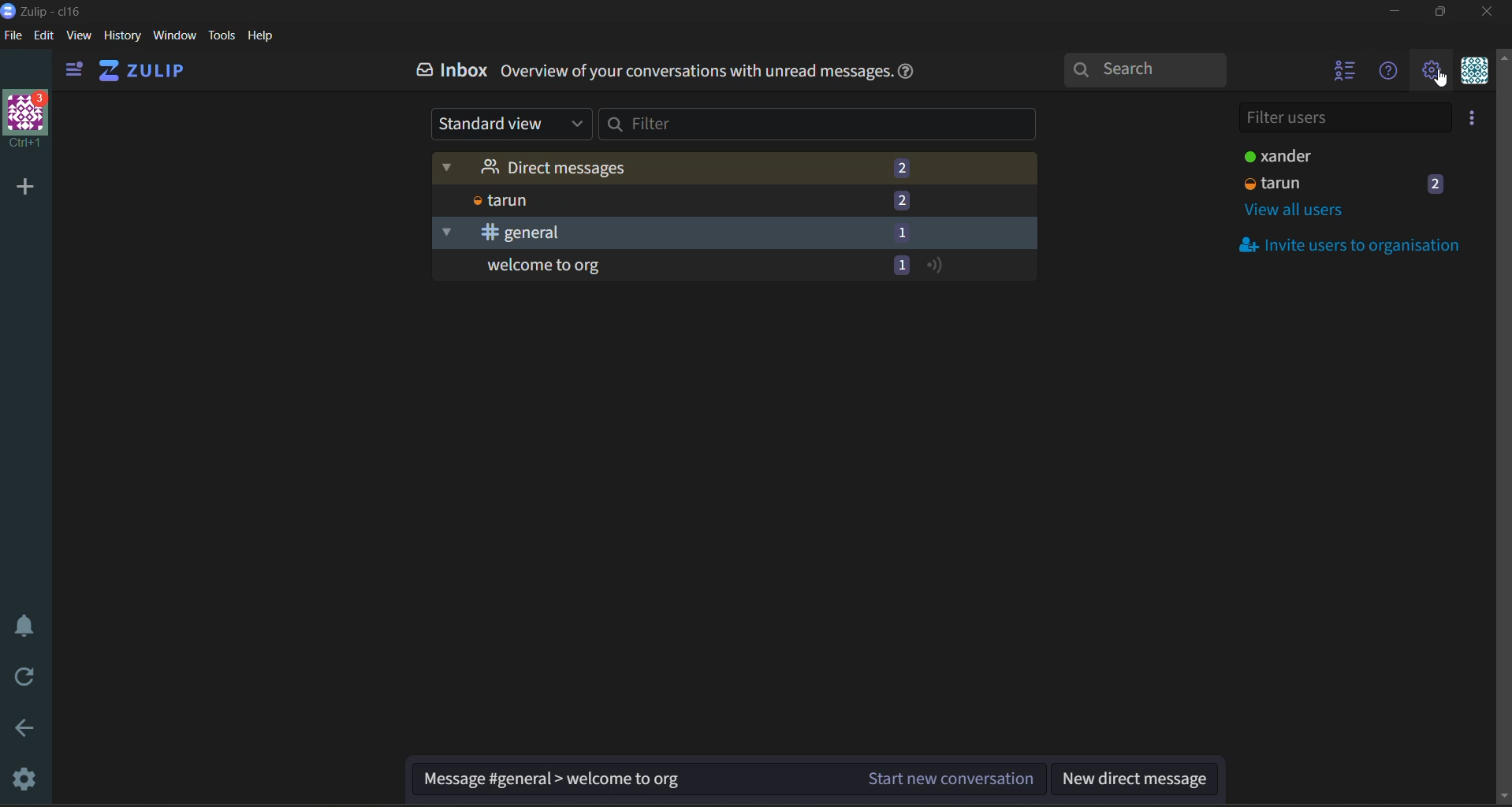 Image resolution: width=1512 pixels, height=807 pixels. Describe the element at coordinates (508, 124) in the screenshot. I see `standard view` at that location.